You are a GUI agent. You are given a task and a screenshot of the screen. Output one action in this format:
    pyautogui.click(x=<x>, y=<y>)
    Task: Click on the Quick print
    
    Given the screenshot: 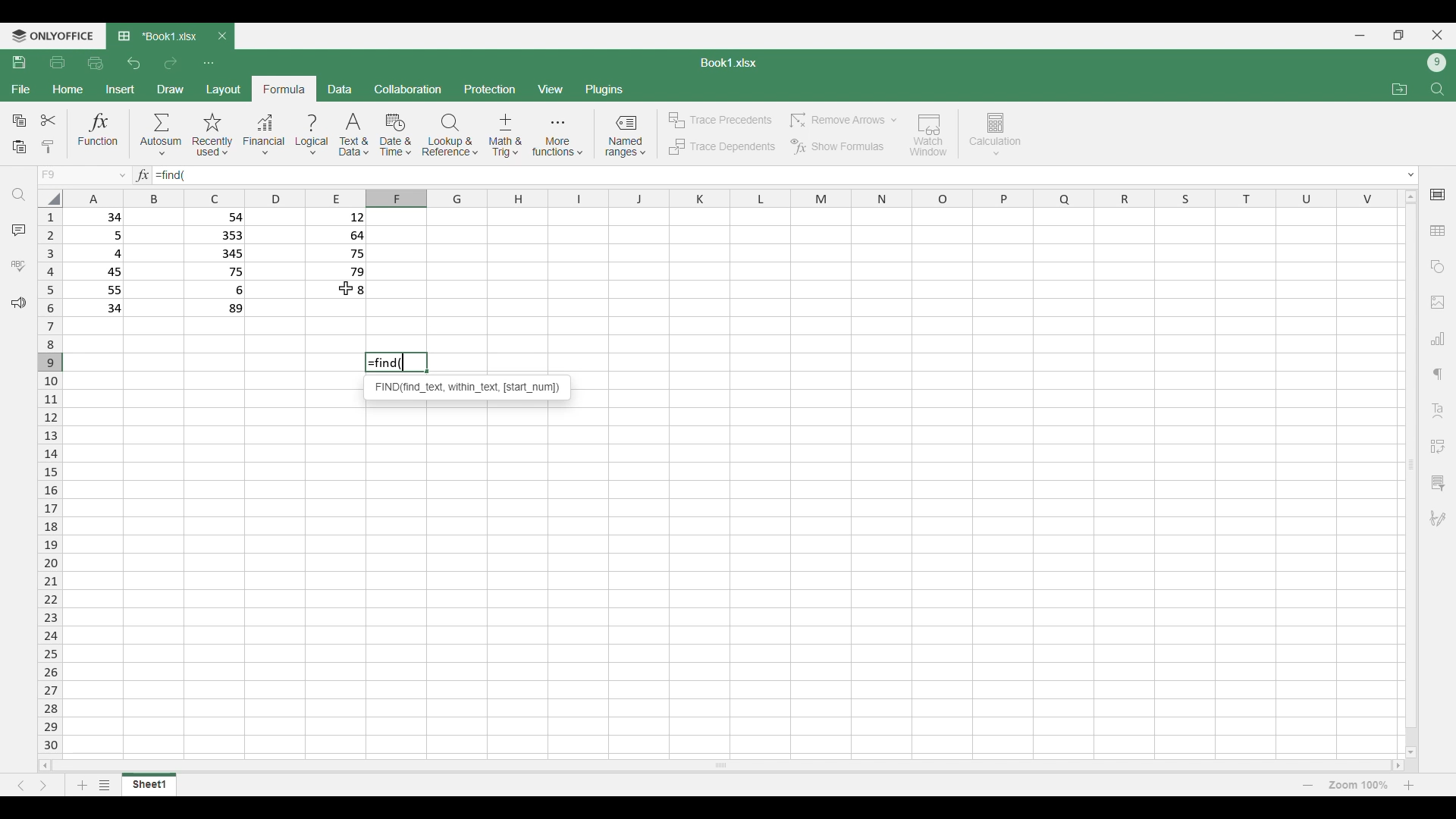 What is the action you would take?
    pyautogui.click(x=96, y=64)
    